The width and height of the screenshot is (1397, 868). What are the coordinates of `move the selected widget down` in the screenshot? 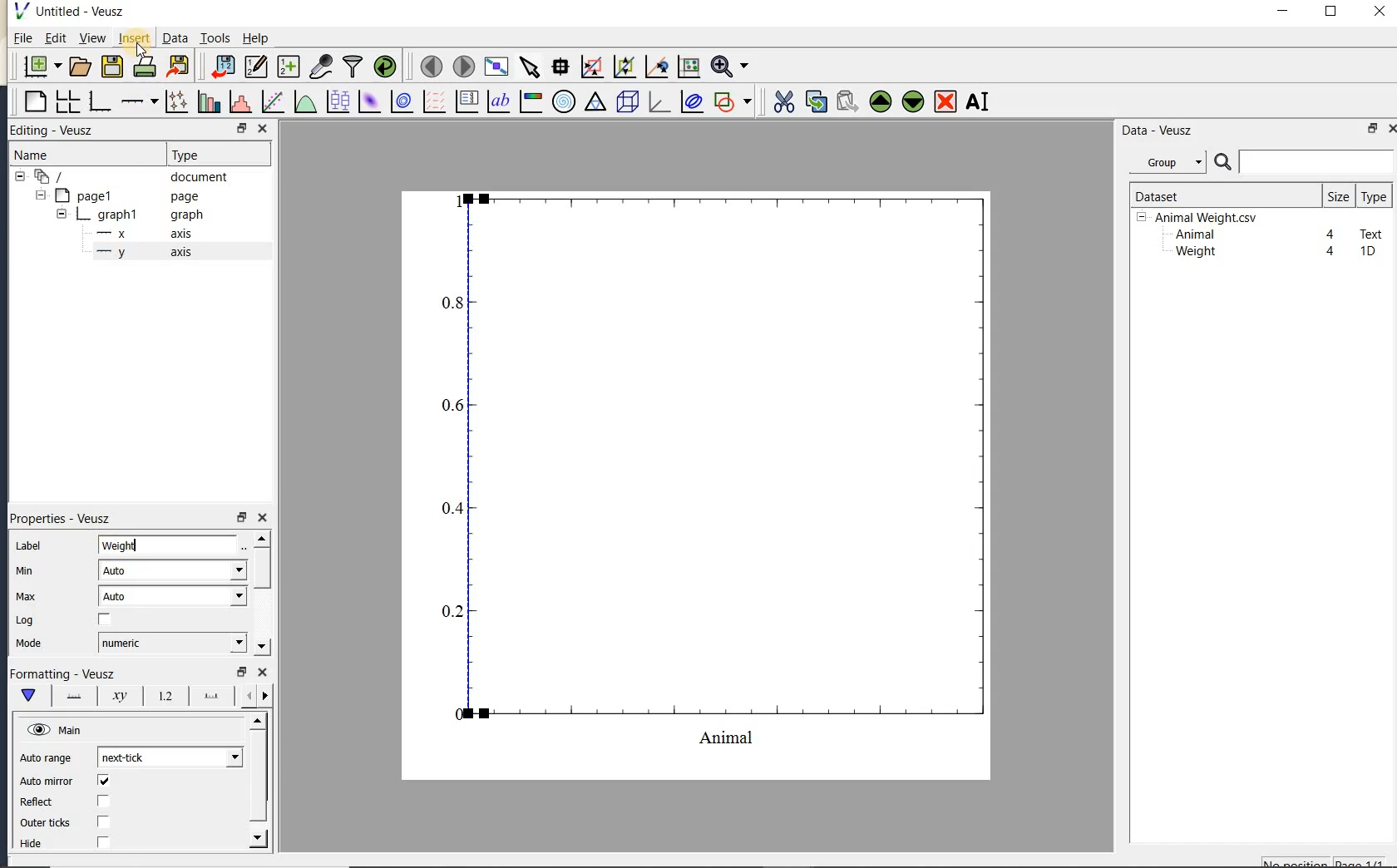 It's located at (913, 101).